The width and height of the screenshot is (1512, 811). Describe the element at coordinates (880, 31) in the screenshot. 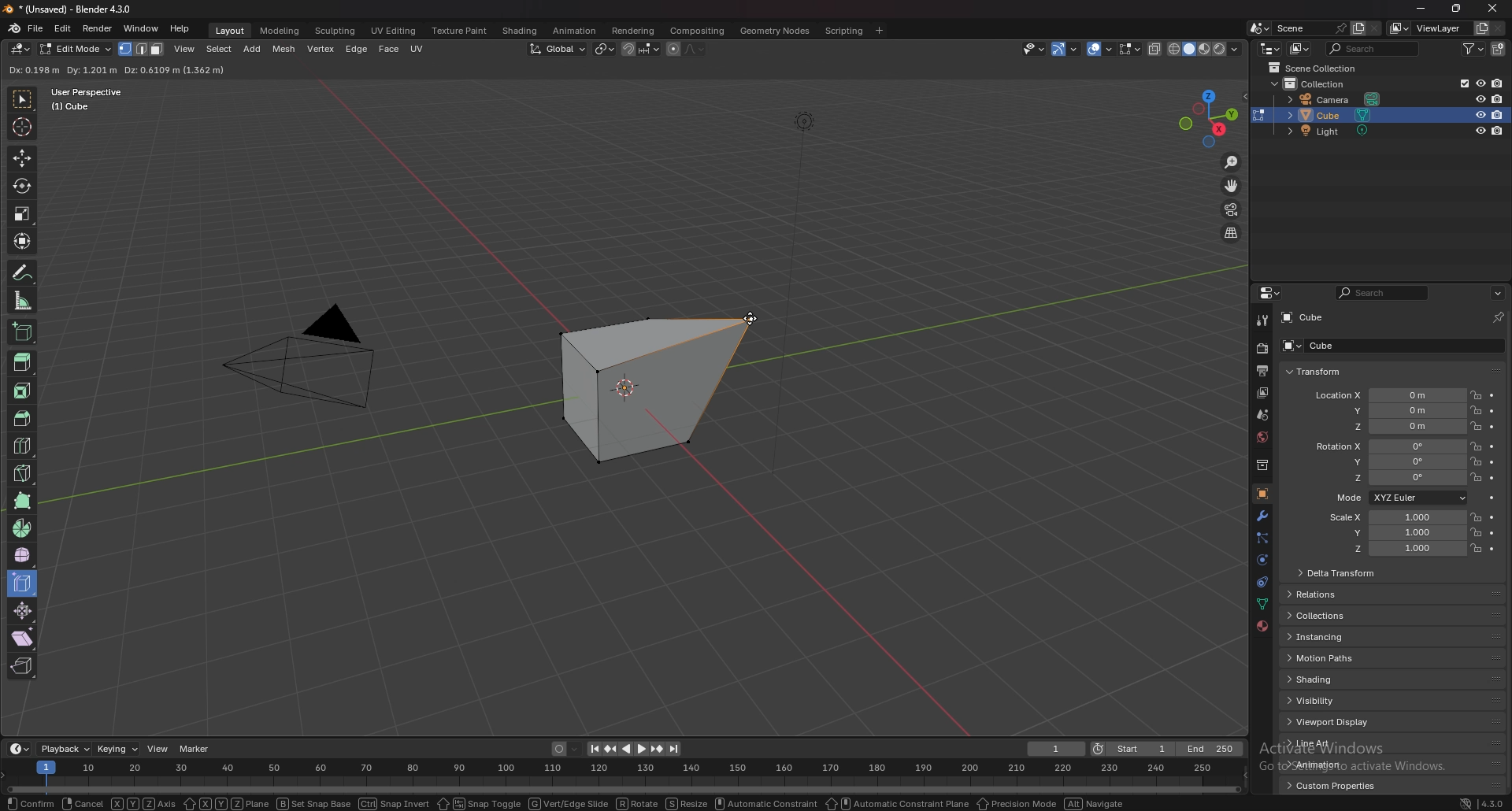

I see `add workspace` at that location.